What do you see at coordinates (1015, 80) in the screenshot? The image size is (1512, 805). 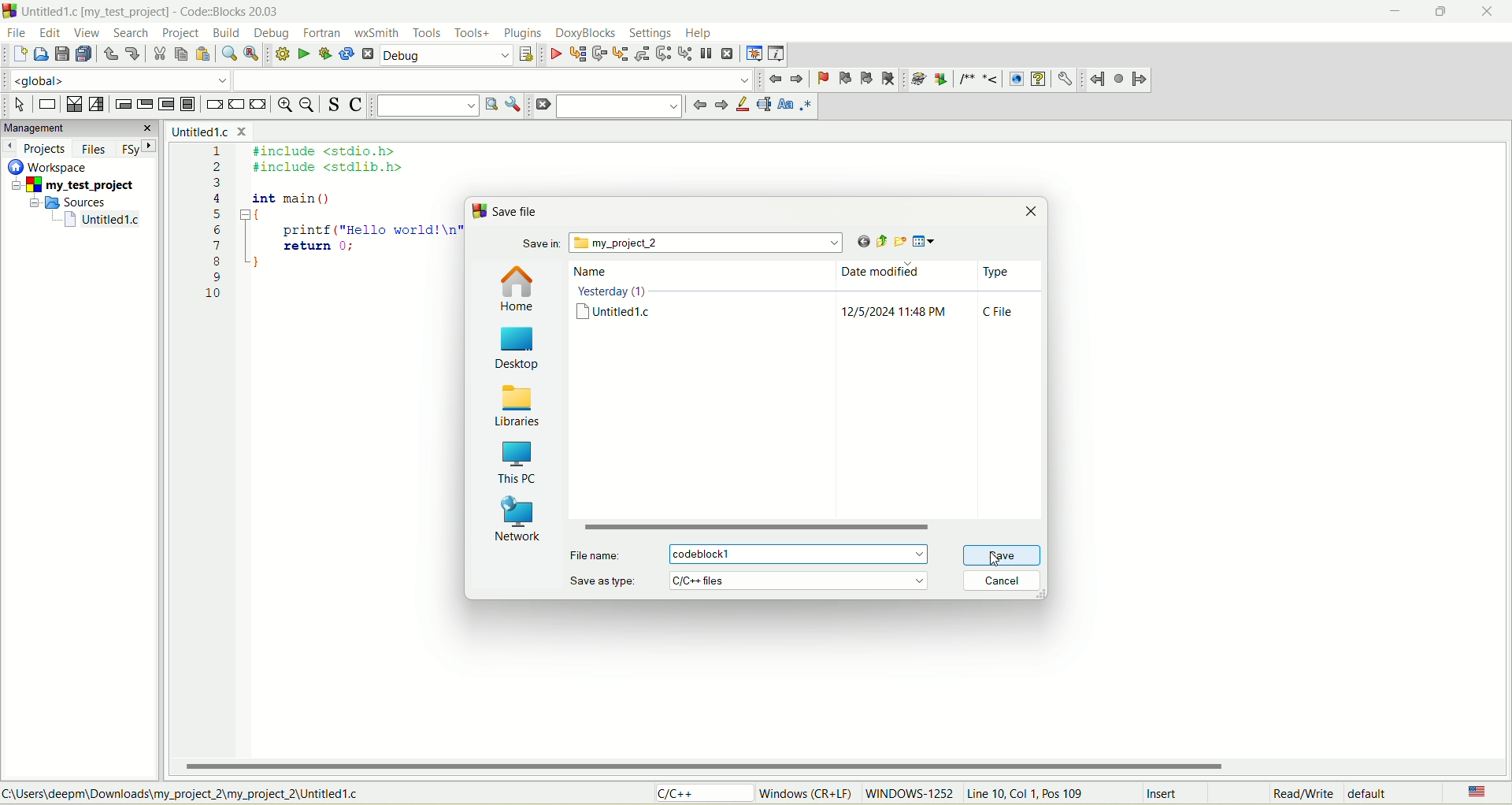 I see `HTML` at bounding box center [1015, 80].